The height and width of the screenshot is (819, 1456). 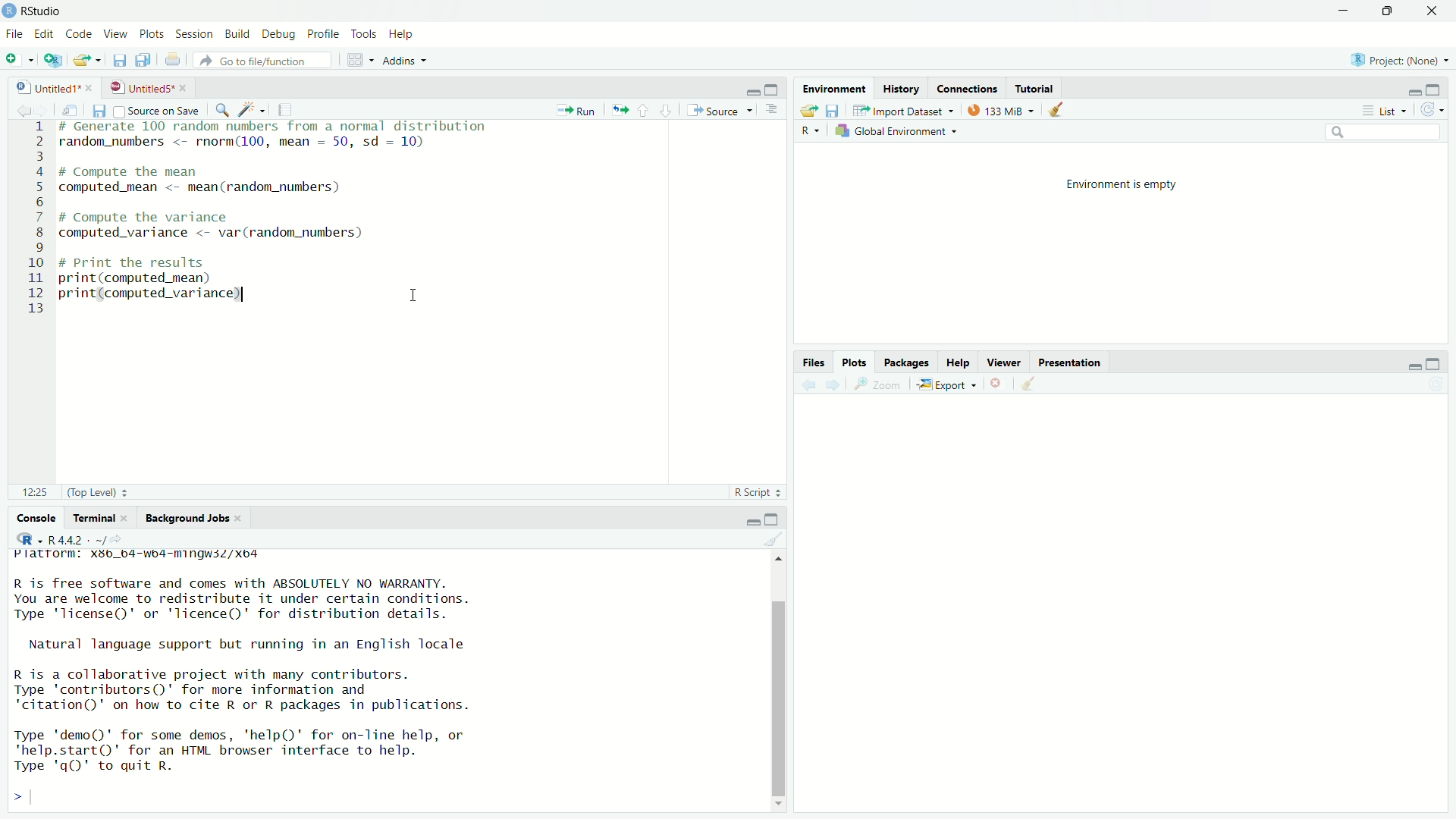 What do you see at coordinates (775, 111) in the screenshot?
I see `hide document online` at bounding box center [775, 111].